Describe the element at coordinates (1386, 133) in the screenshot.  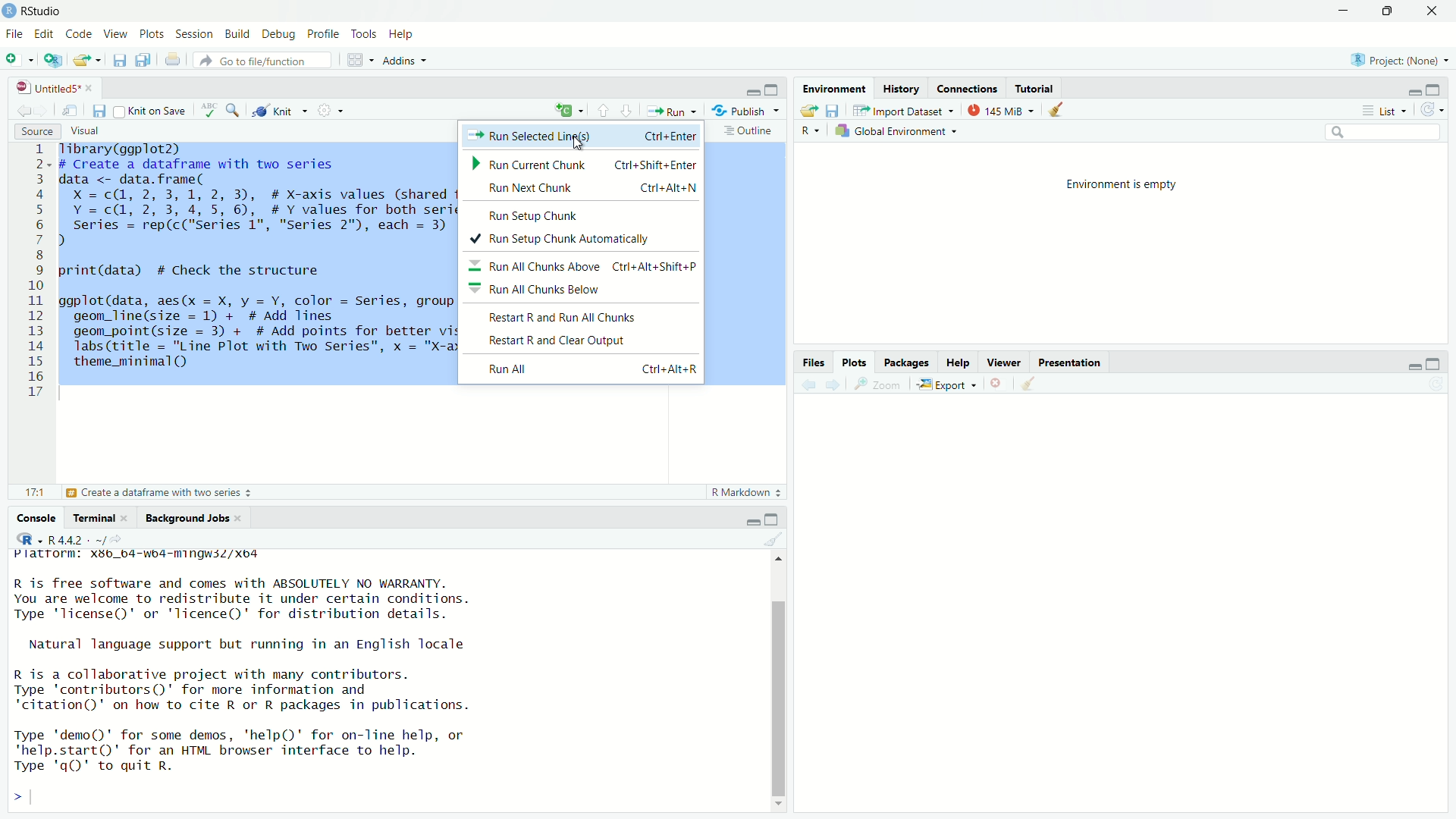
I see `Search edit field` at that location.